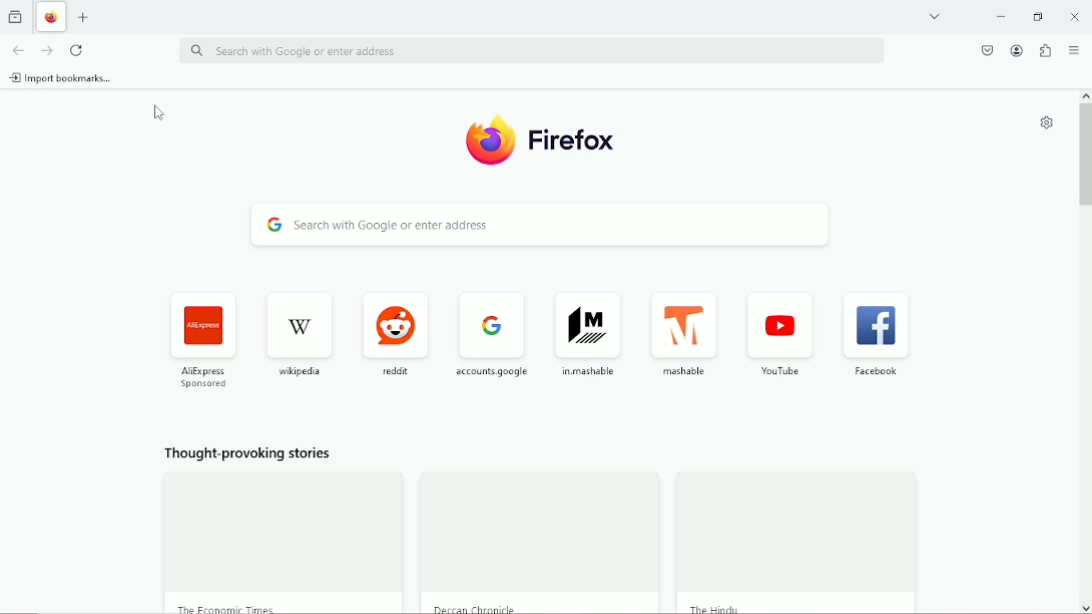 This screenshot has height=614, width=1092. I want to click on AliExpress, so click(206, 339).